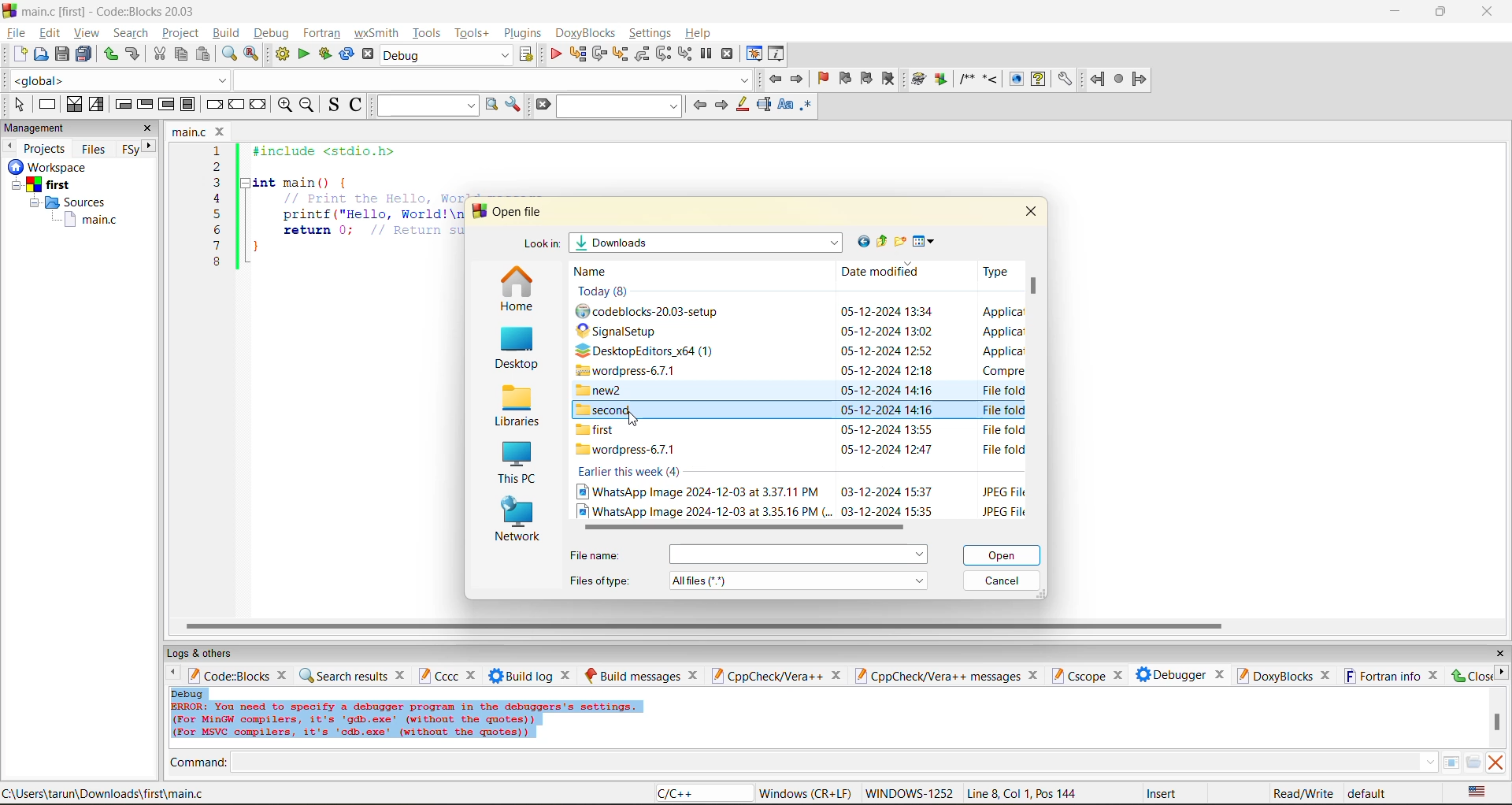  I want to click on close, so click(402, 674).